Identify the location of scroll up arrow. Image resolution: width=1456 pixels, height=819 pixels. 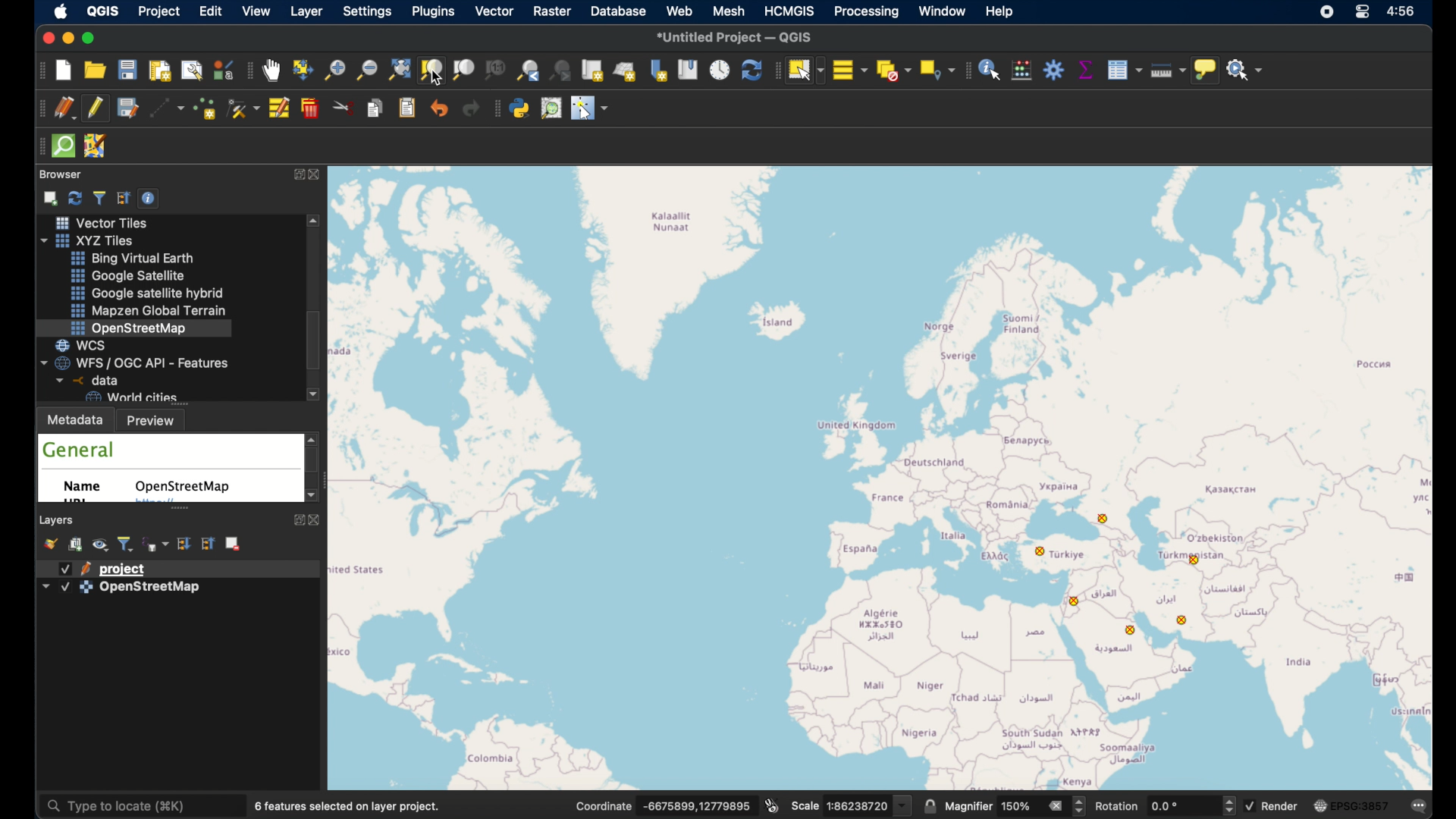
(315, 221).